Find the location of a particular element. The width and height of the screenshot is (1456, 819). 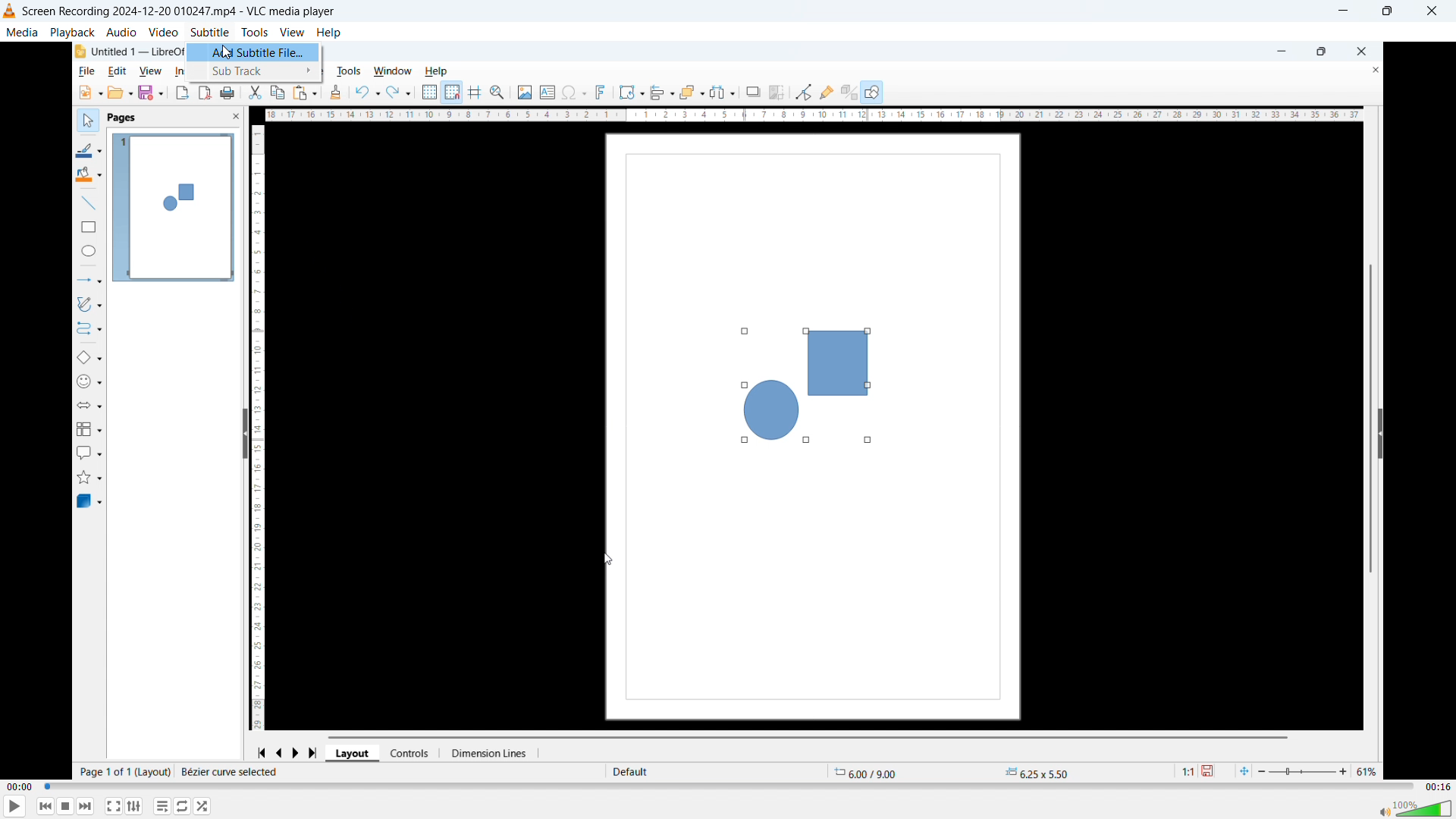

Time elapsed  is located at coordinates (20, 787).